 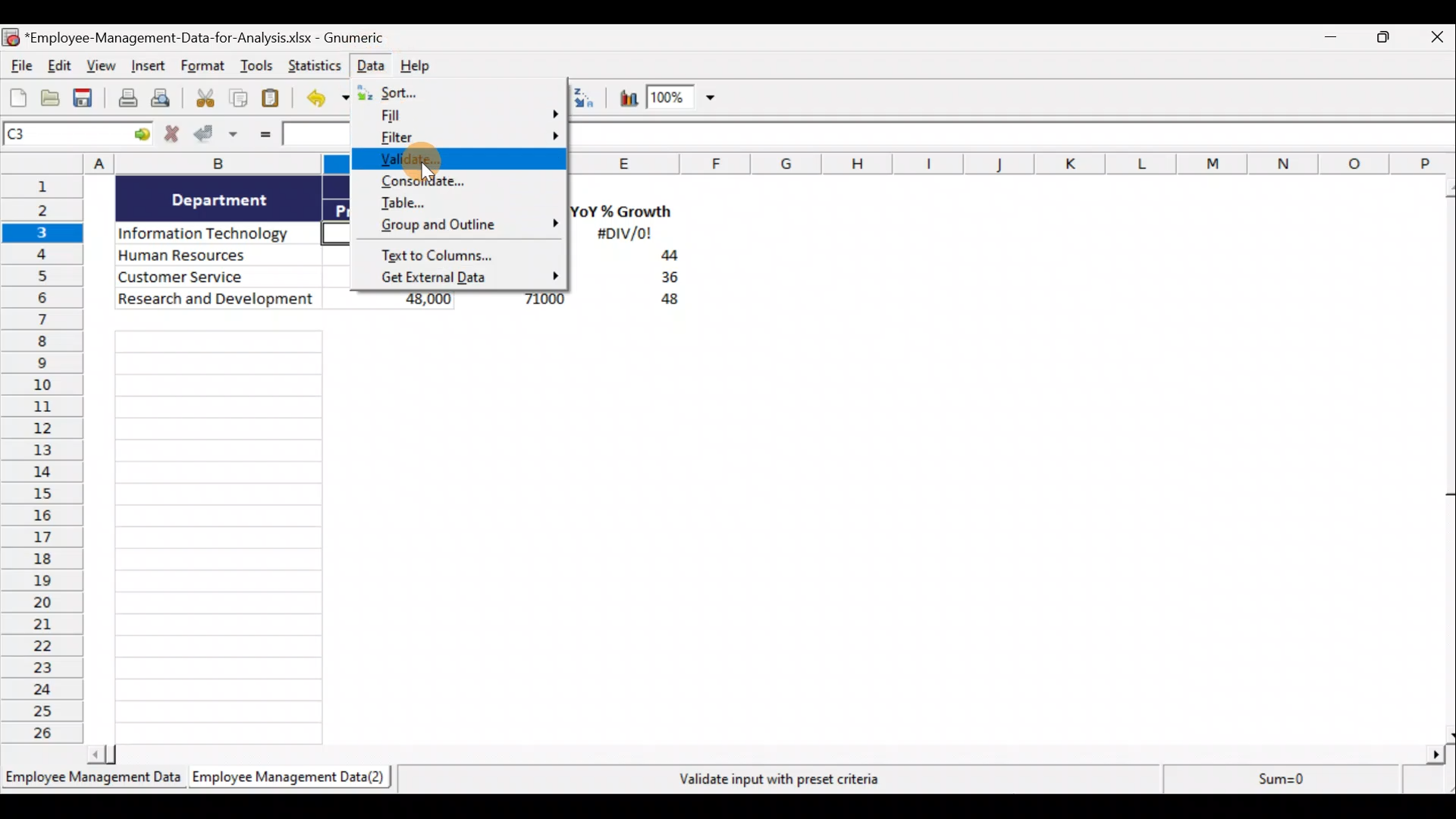 I want to click on Print preview, so click(x=169, y=102).